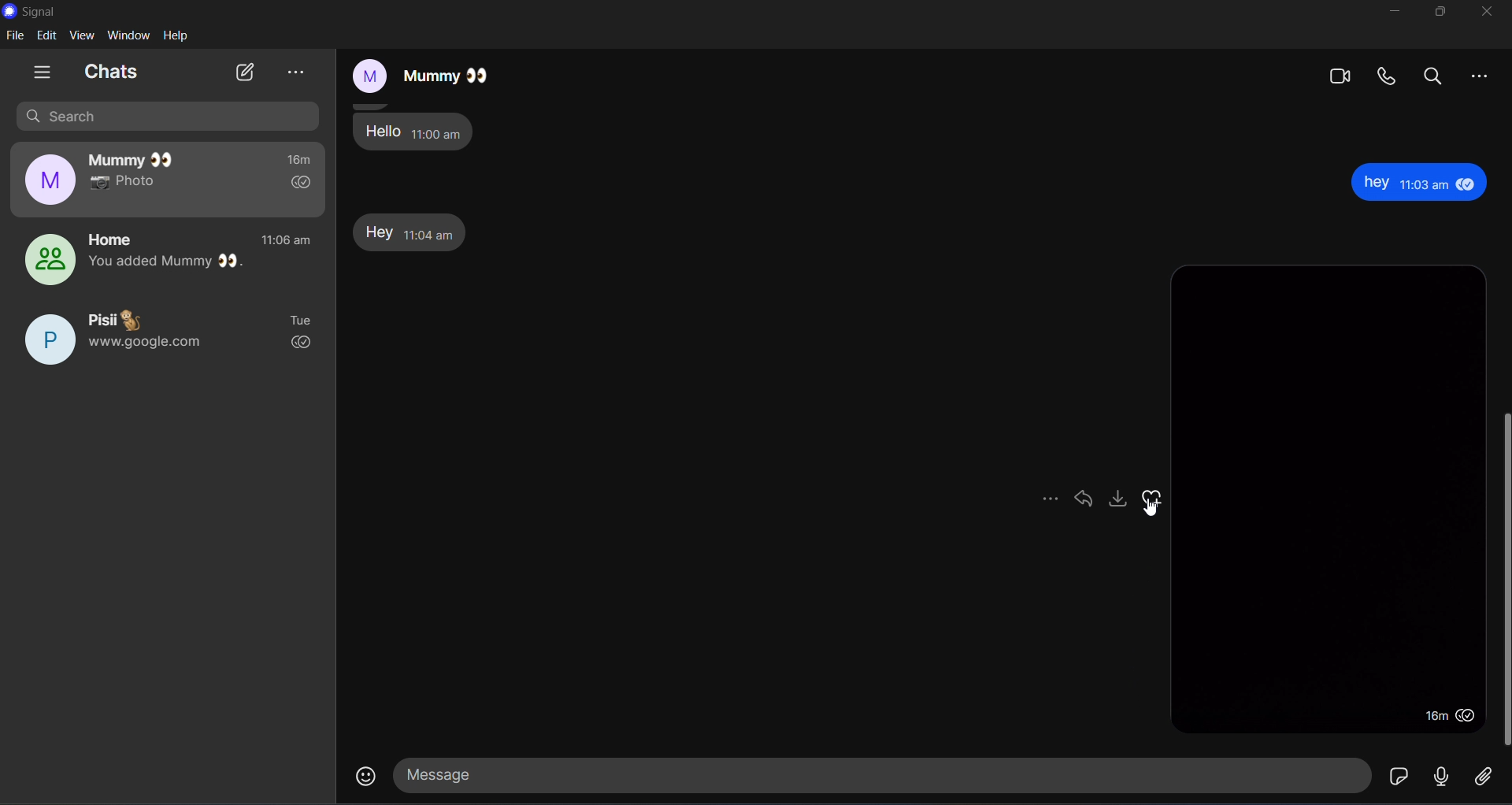 The height and width of the screenshot is (805, 1512). What do you see at coordinates (1400, 774) in the screenshot?
I see `sticker` at bounding box center [1400, 774].